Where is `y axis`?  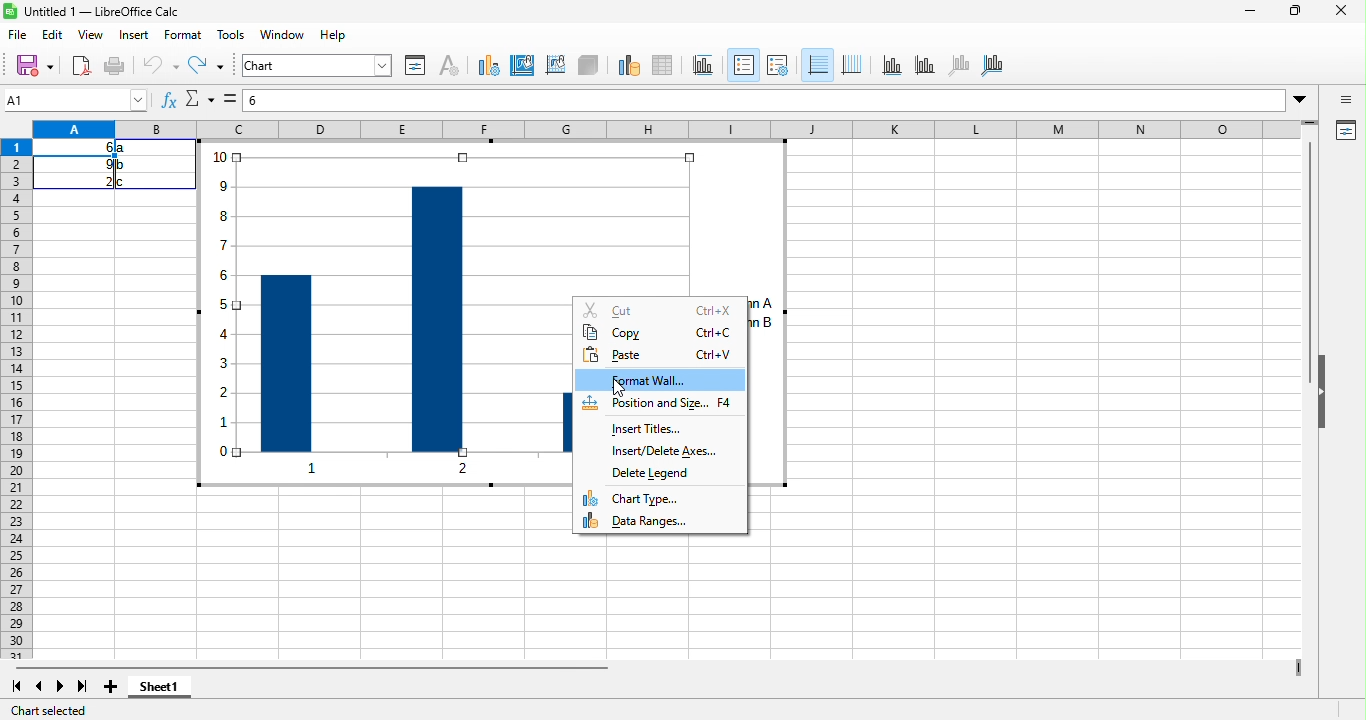
y axis is located at coordinates (924, 64).